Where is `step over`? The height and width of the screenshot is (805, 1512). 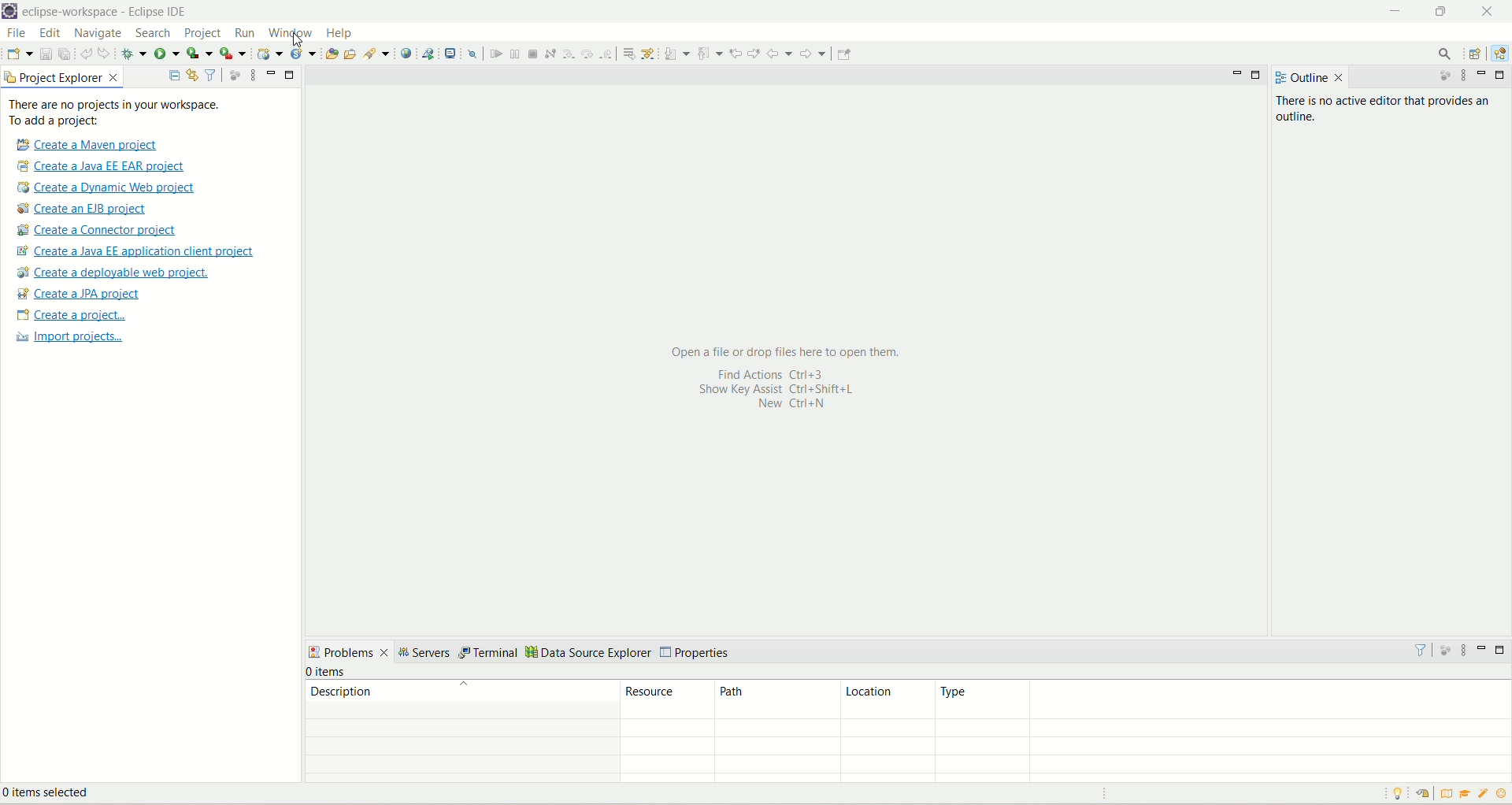 step over is located at coordinates (586, 54).